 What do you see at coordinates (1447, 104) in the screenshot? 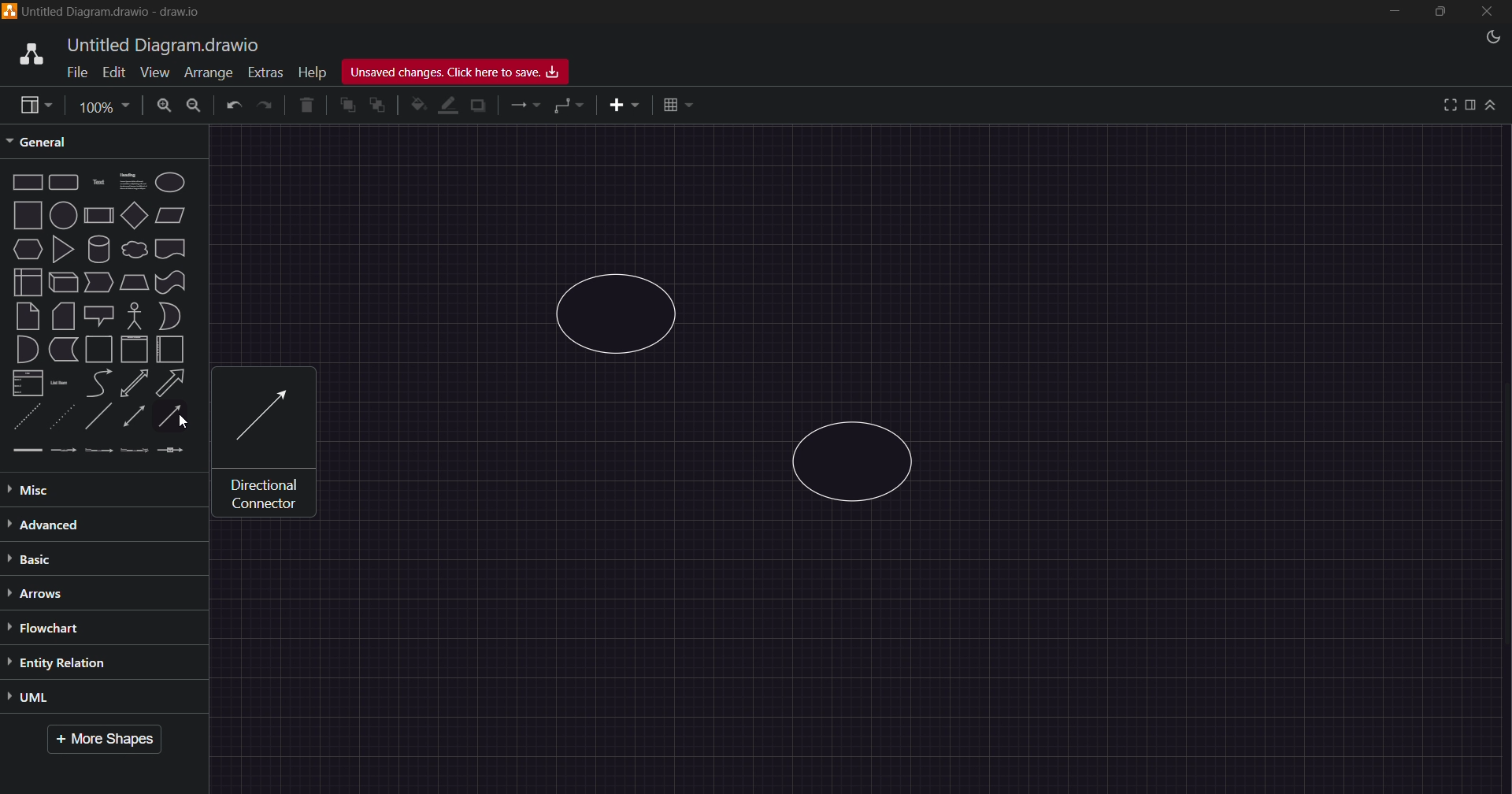
I see `view full screen` at bounding box center [1447, 104].